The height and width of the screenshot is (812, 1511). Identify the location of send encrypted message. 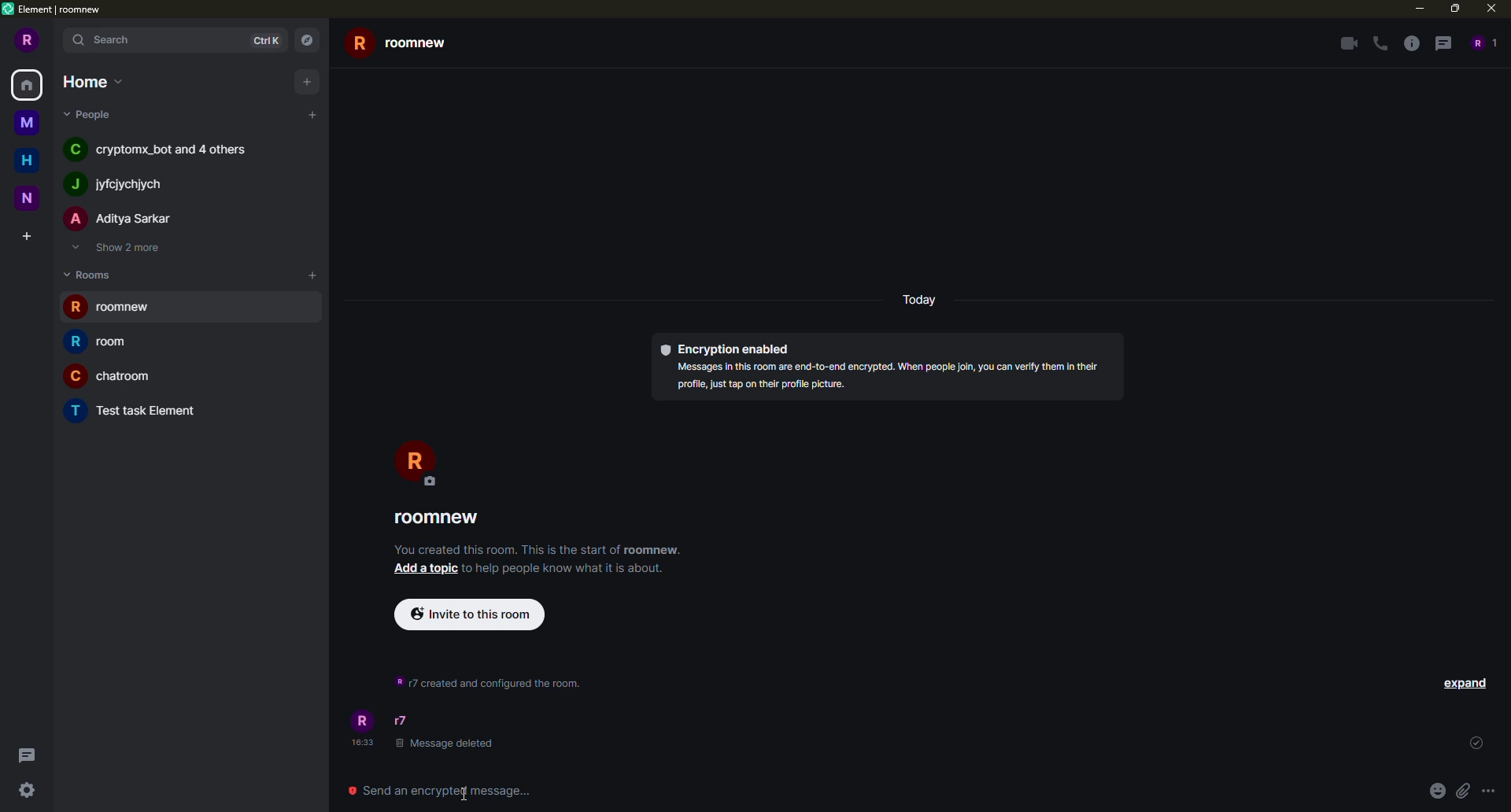
(453, 789).